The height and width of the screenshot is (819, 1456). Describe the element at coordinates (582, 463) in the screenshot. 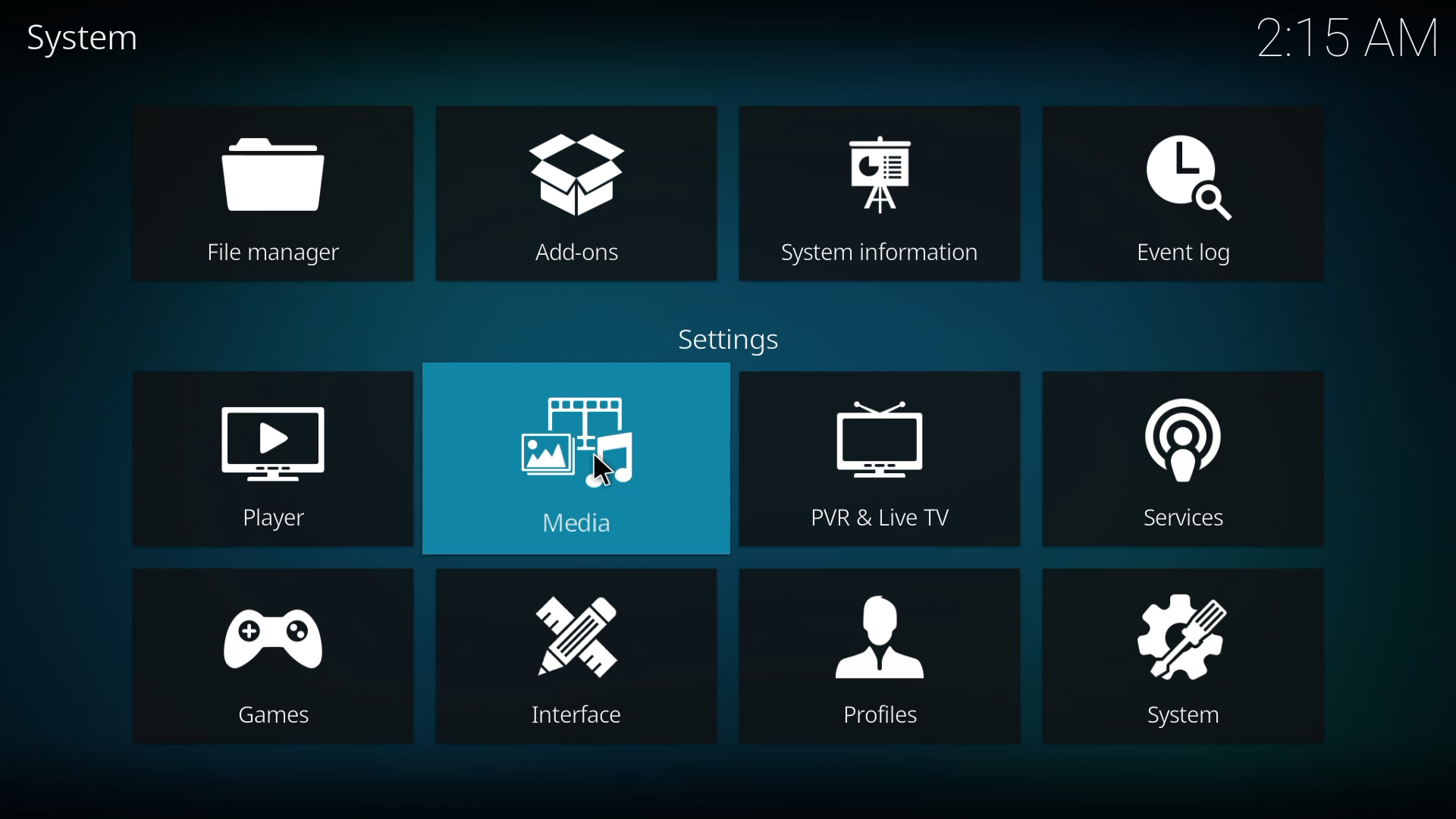

I see `media` at that location.